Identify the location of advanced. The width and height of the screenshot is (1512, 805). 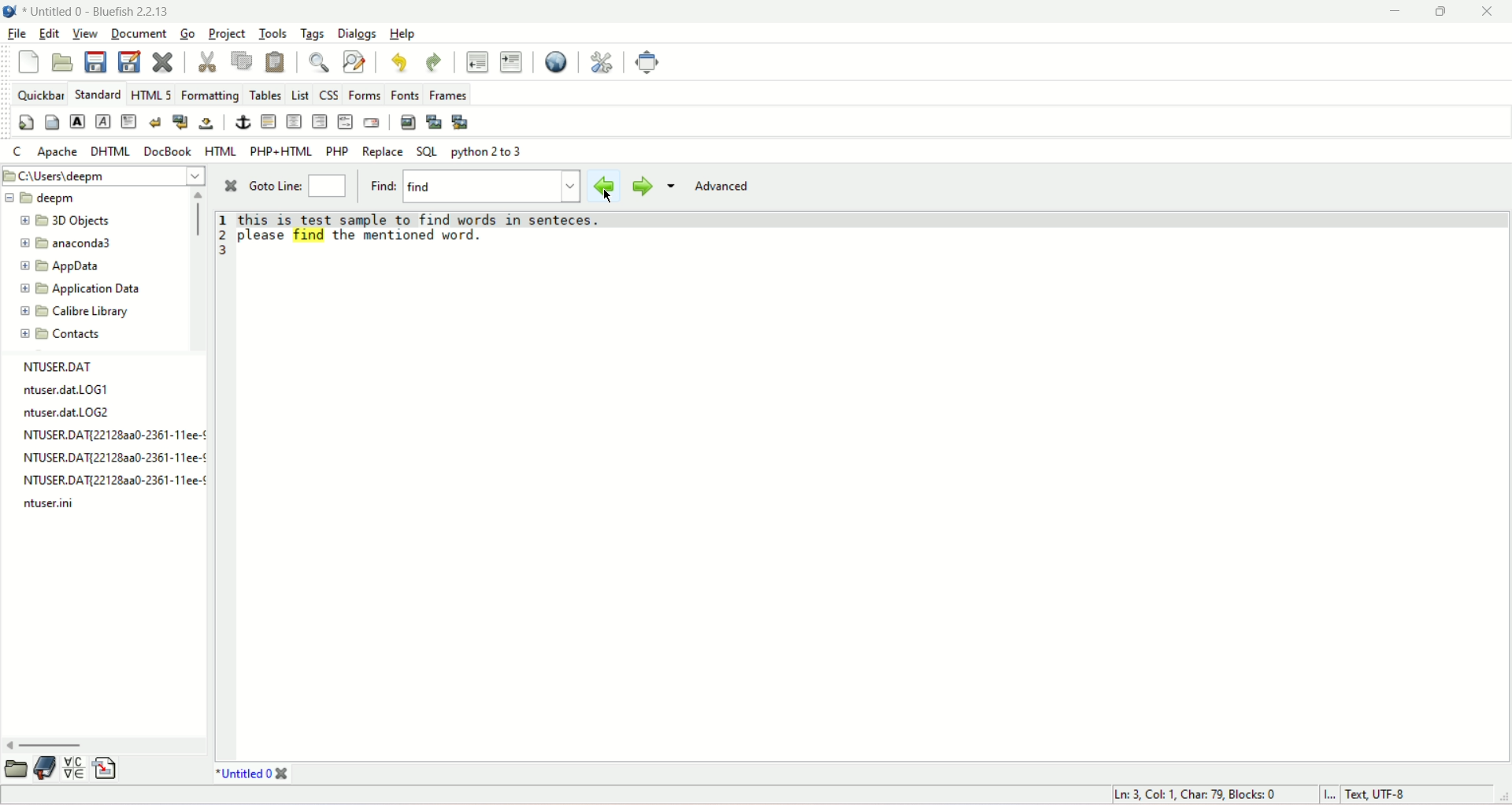
(723, 187).